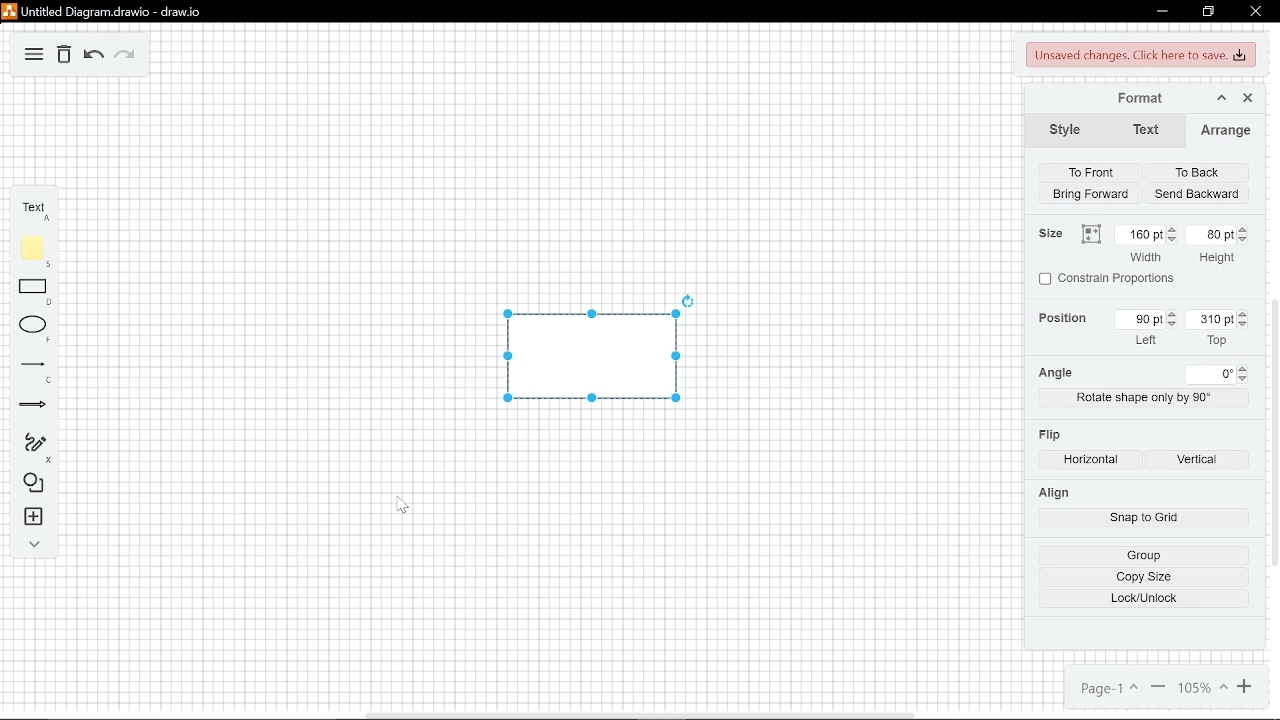 The image size is (1280, 720). Describe the element at coordinates (99, 12) in the screenshot. I see `Untitled Diagram drawio - draw.io` at that location.